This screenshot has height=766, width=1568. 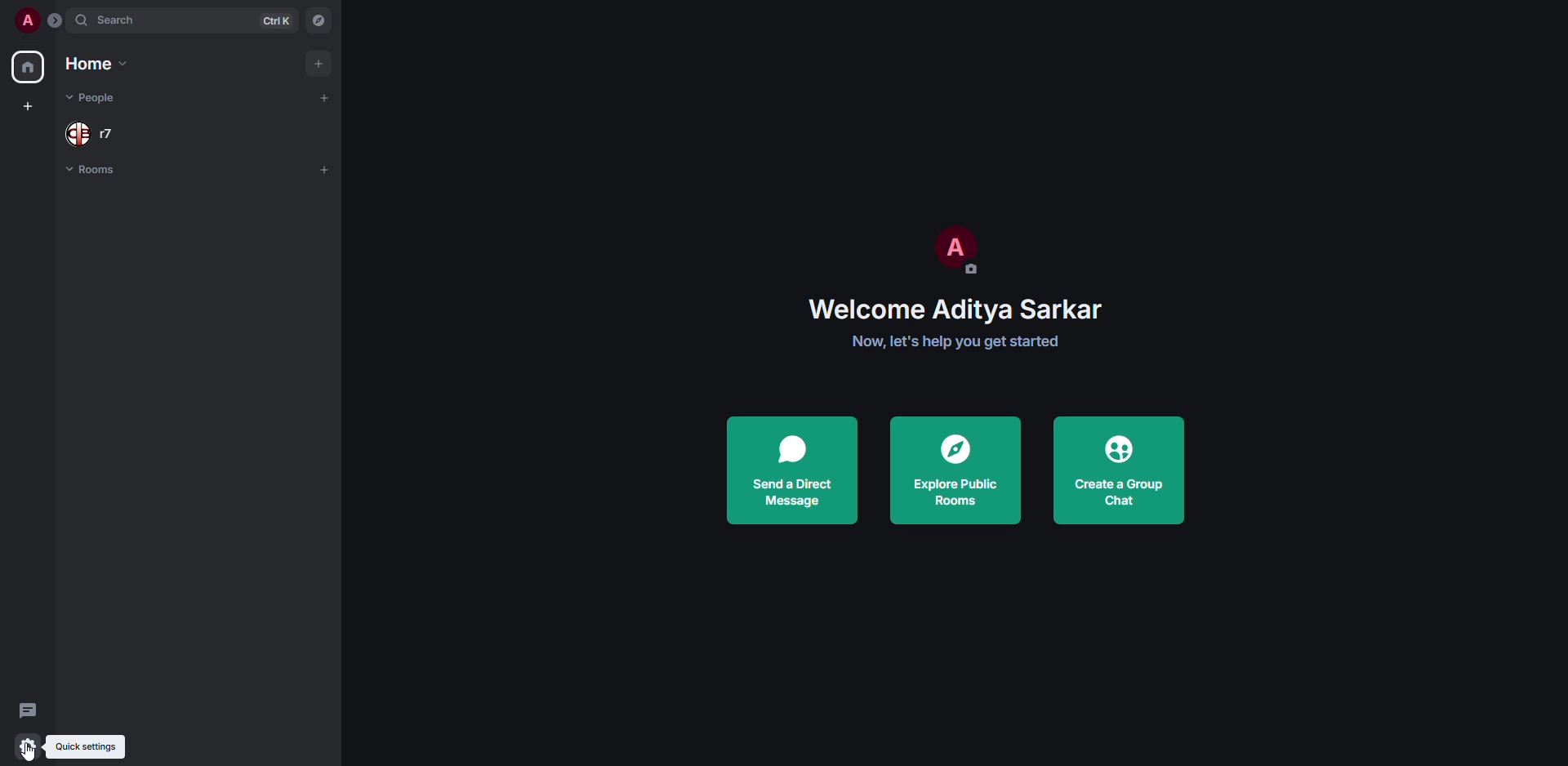 I want to click on welcome, so click(x=955, y=309).